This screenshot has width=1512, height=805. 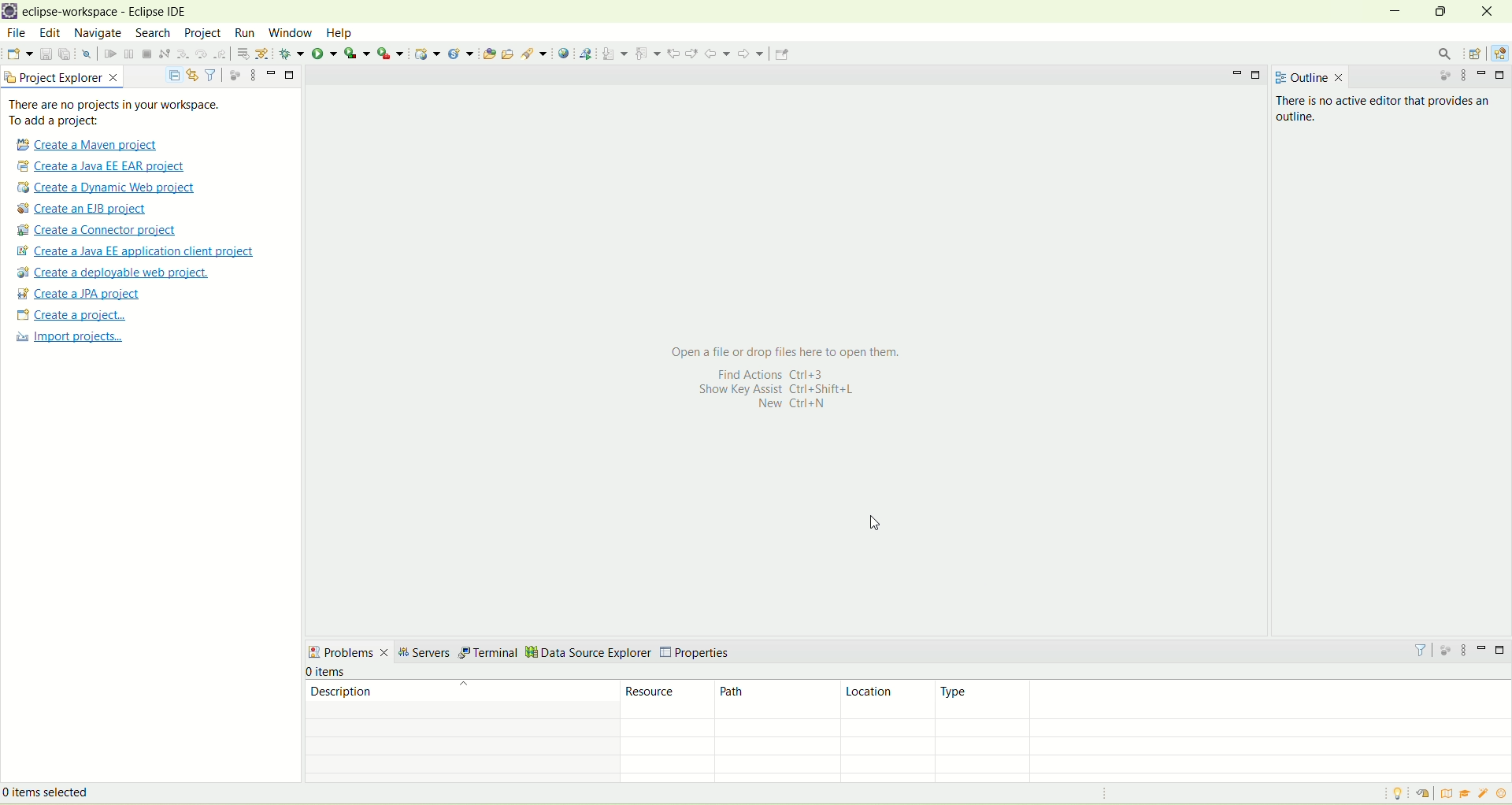 I want to click on focus on active task, so click(x=1443, y=79).